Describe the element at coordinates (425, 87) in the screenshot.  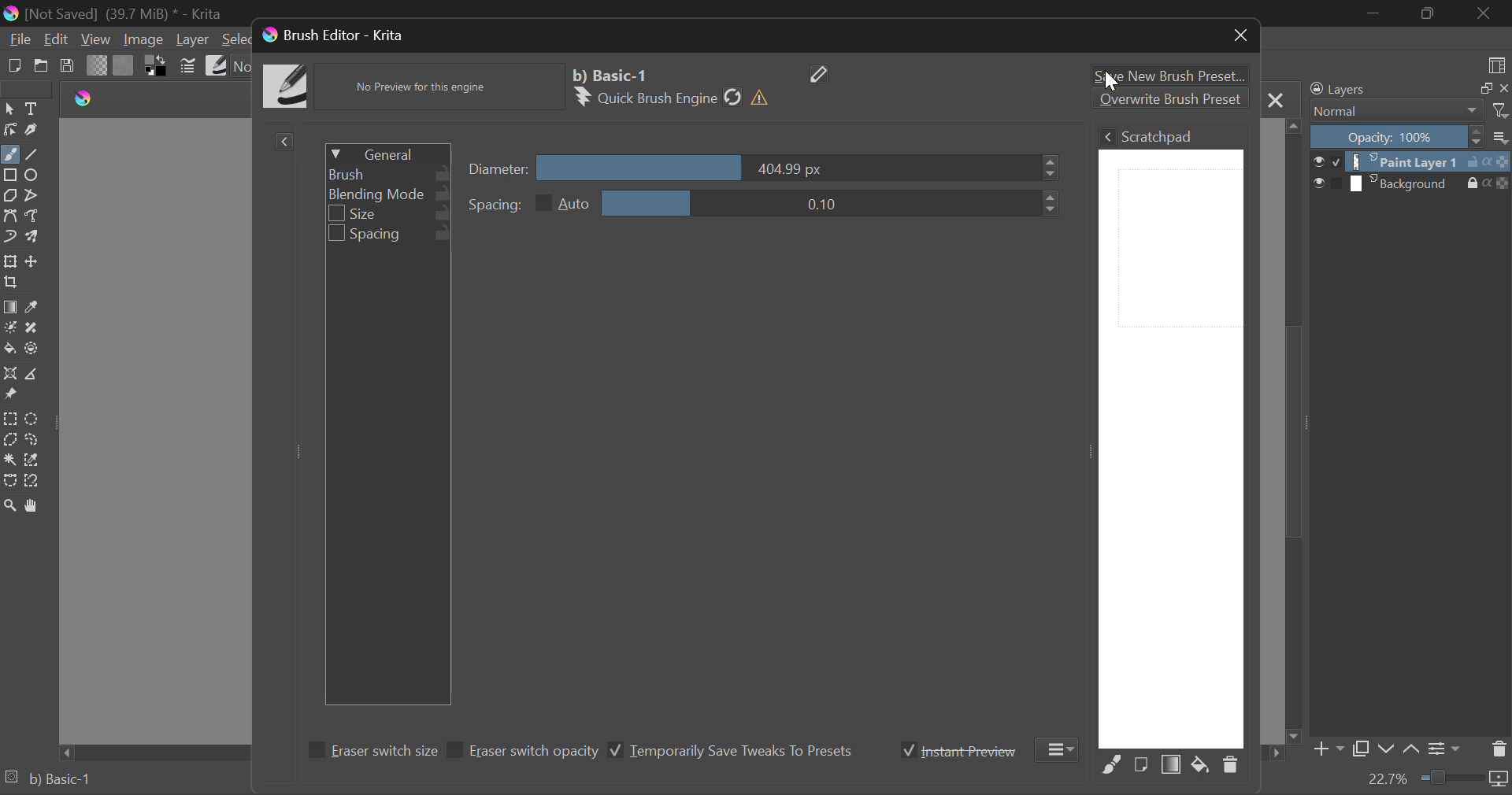
I see `No Preview Available` at that location.